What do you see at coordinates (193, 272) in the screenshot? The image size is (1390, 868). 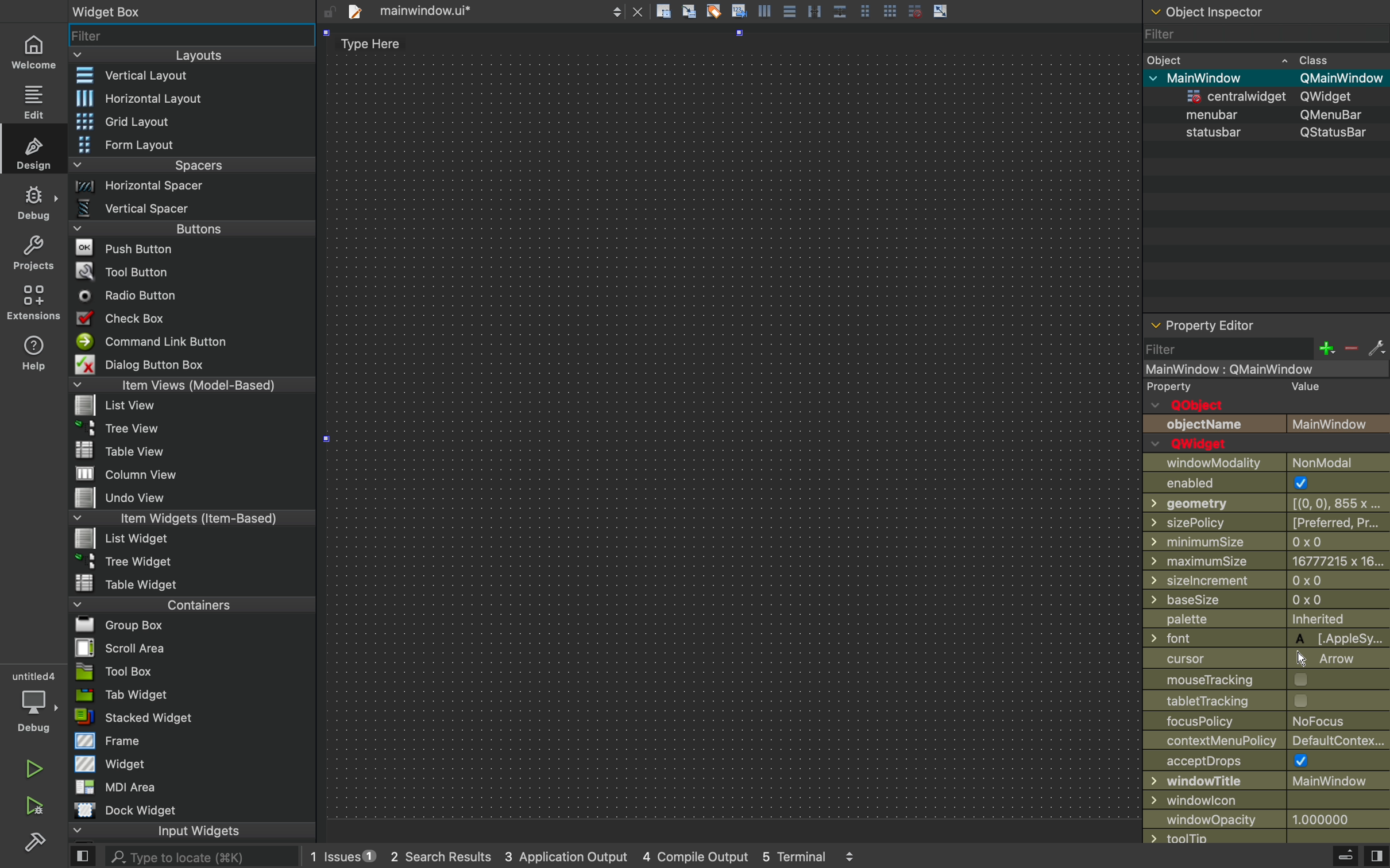 I see `tool button` at bounding box center [193, 272].